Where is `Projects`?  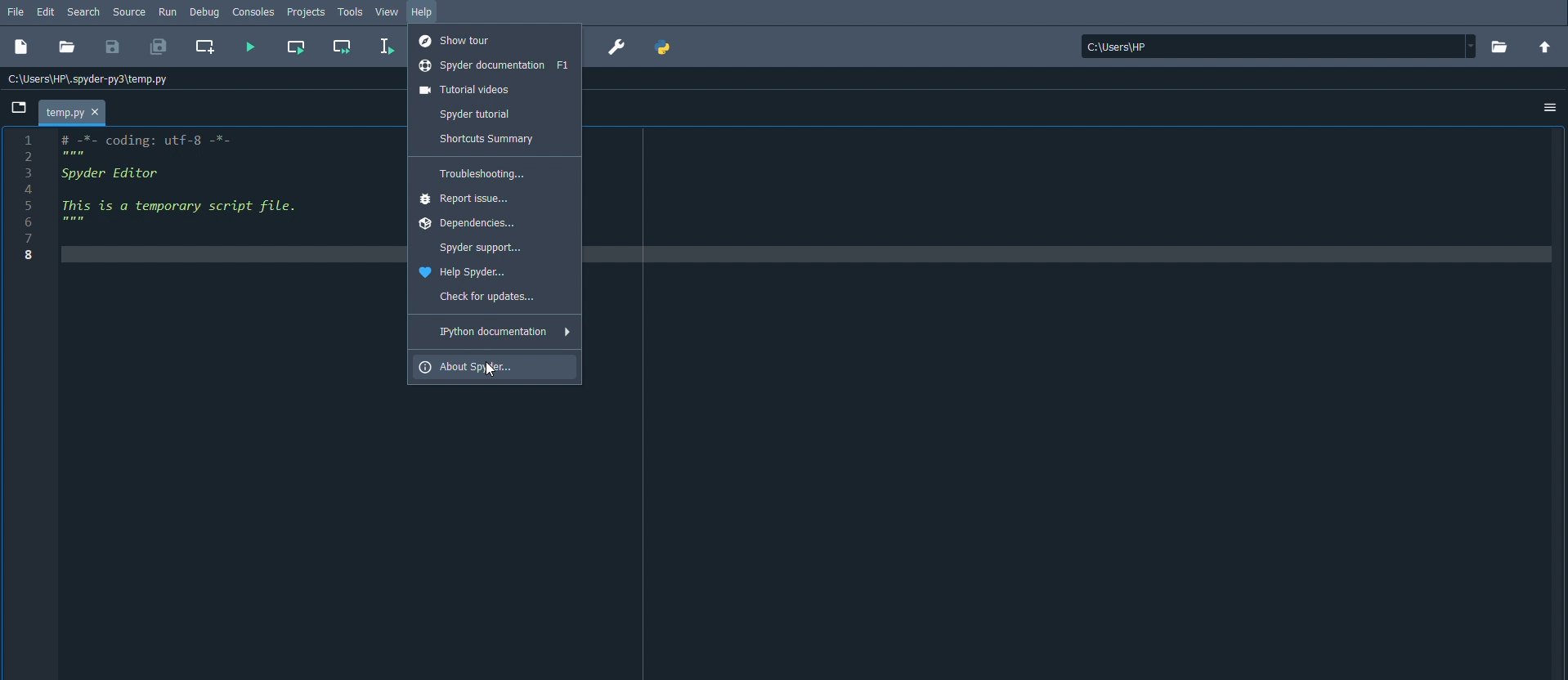 Projects is located at coordinates (307, 11).